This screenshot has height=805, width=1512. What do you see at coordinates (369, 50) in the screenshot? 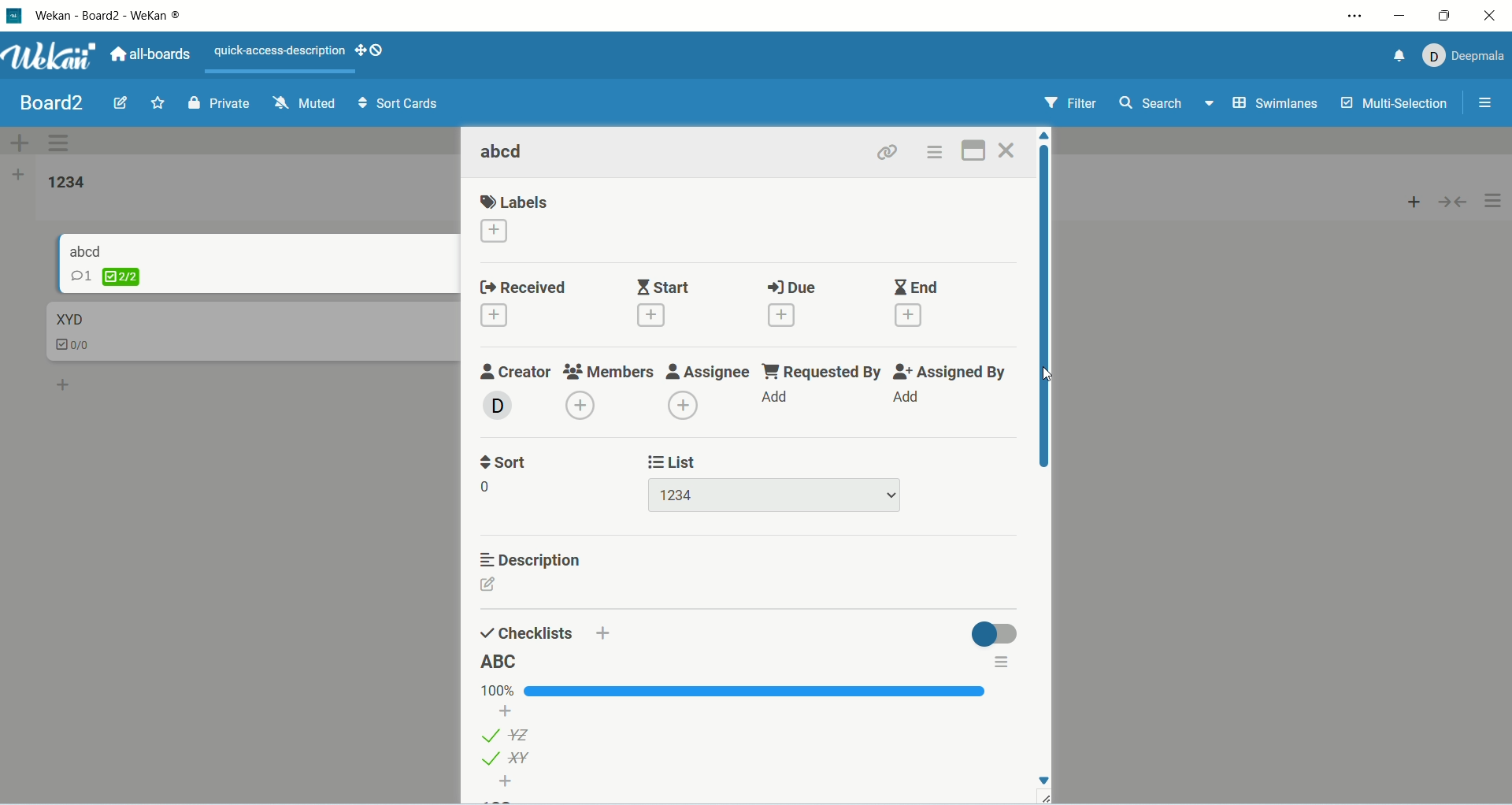
I see `SHOW-DESKTOP-DRAG-HANDLES` at bounding box center [369, 50].